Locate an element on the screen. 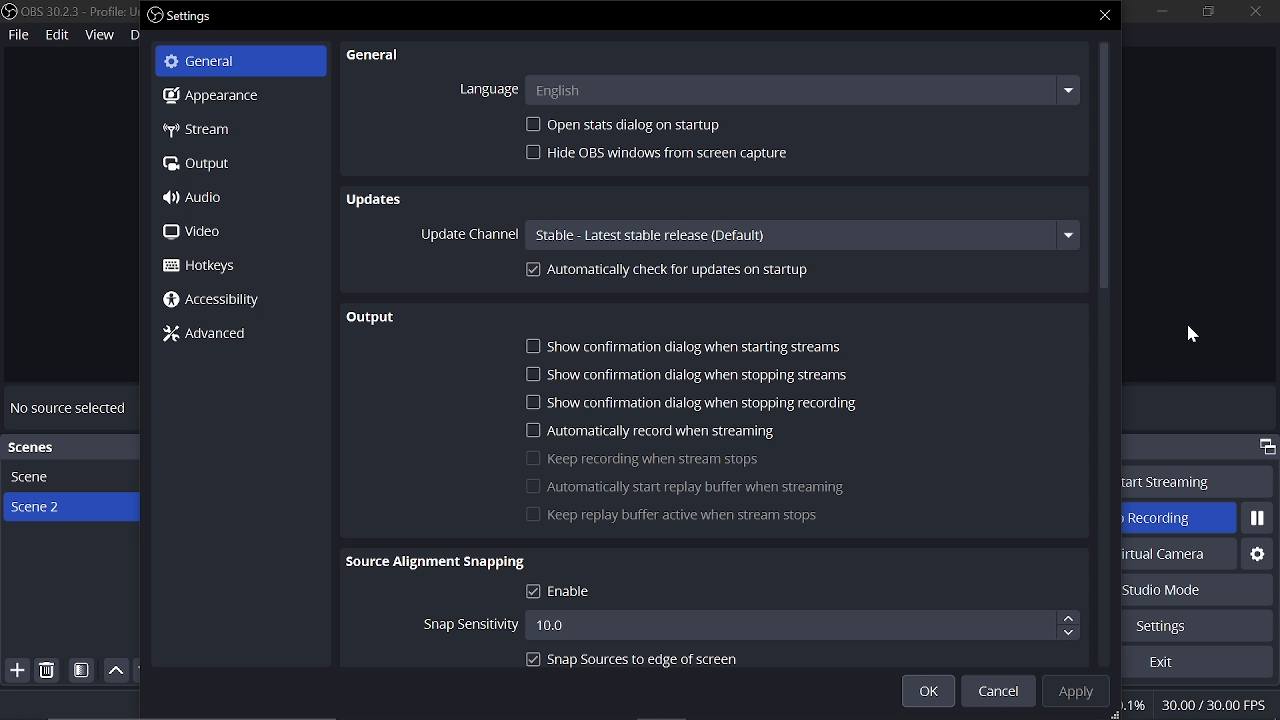 This screenshot has width=1280, height=720. show confirmation dialog when starting streams is located at coordinates (696, 345).